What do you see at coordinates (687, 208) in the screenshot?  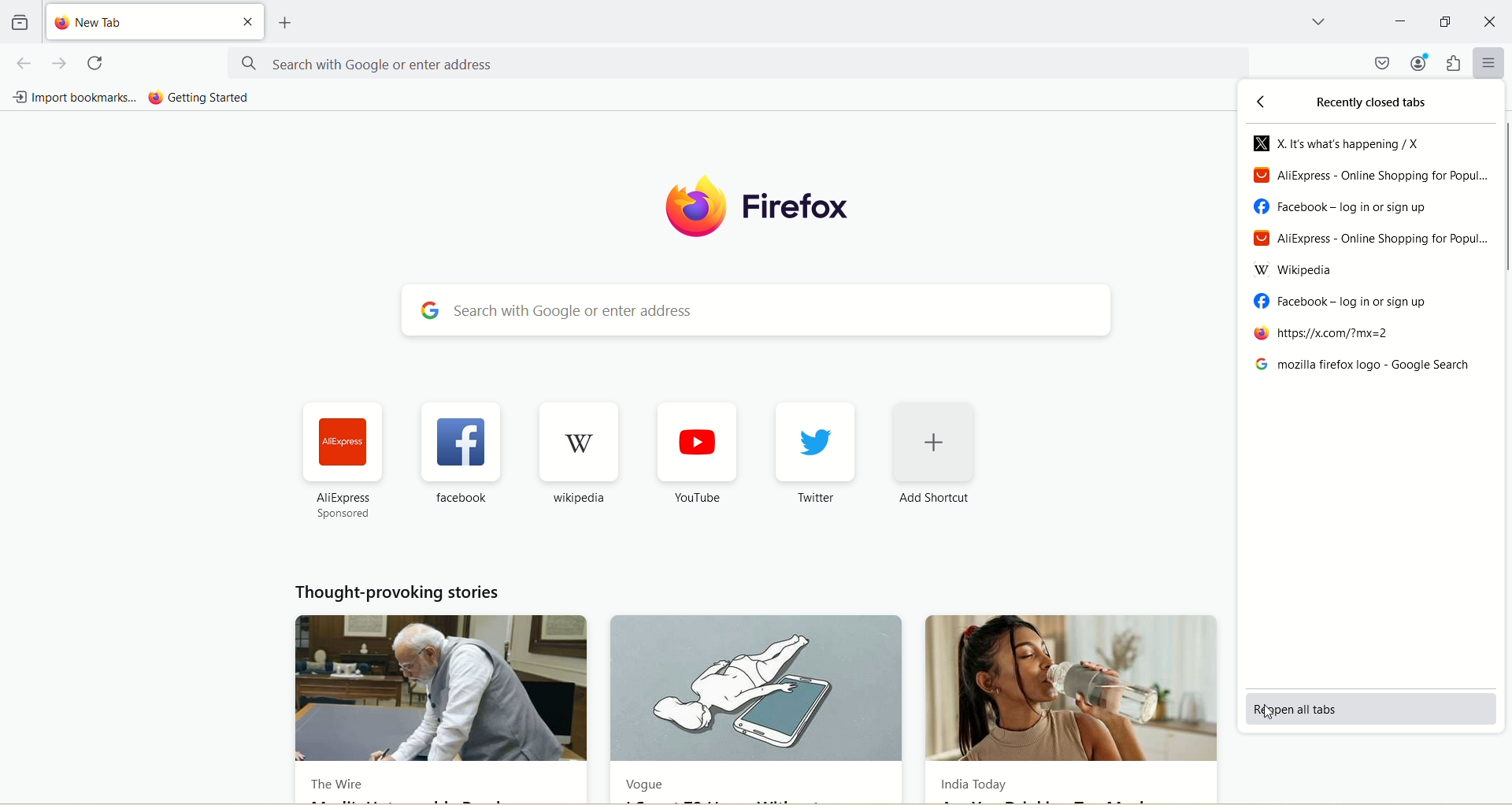 I see `logo` at bounding box center [687, 208].